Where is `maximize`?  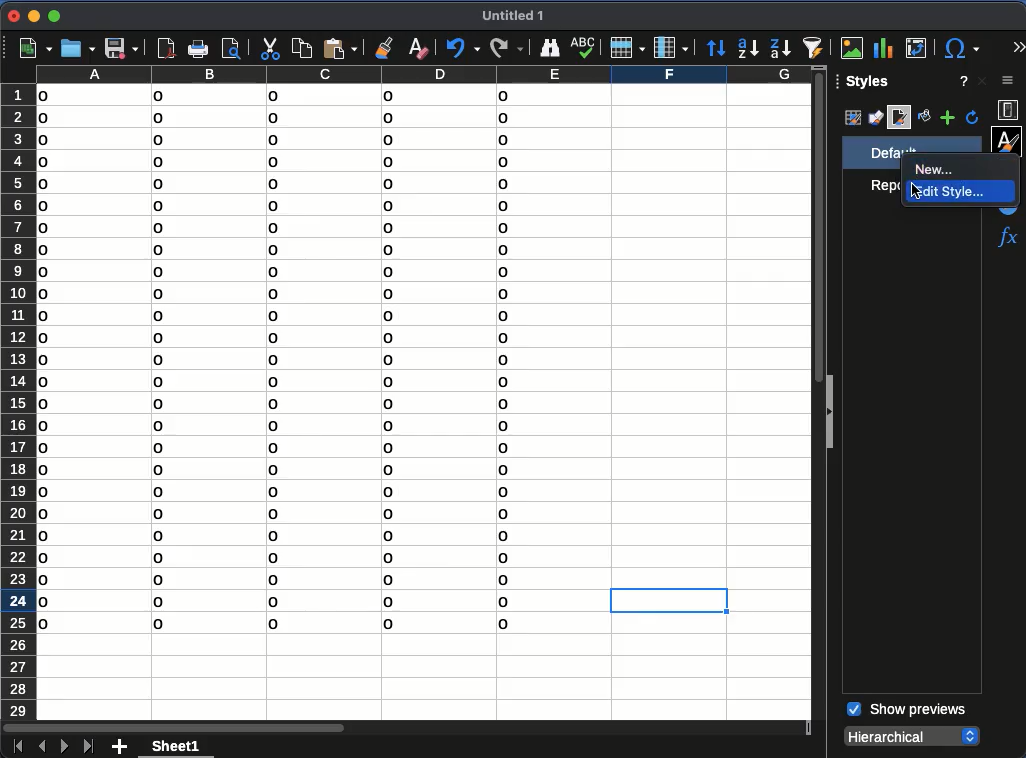
maximize is located at coordinates (56, 17).